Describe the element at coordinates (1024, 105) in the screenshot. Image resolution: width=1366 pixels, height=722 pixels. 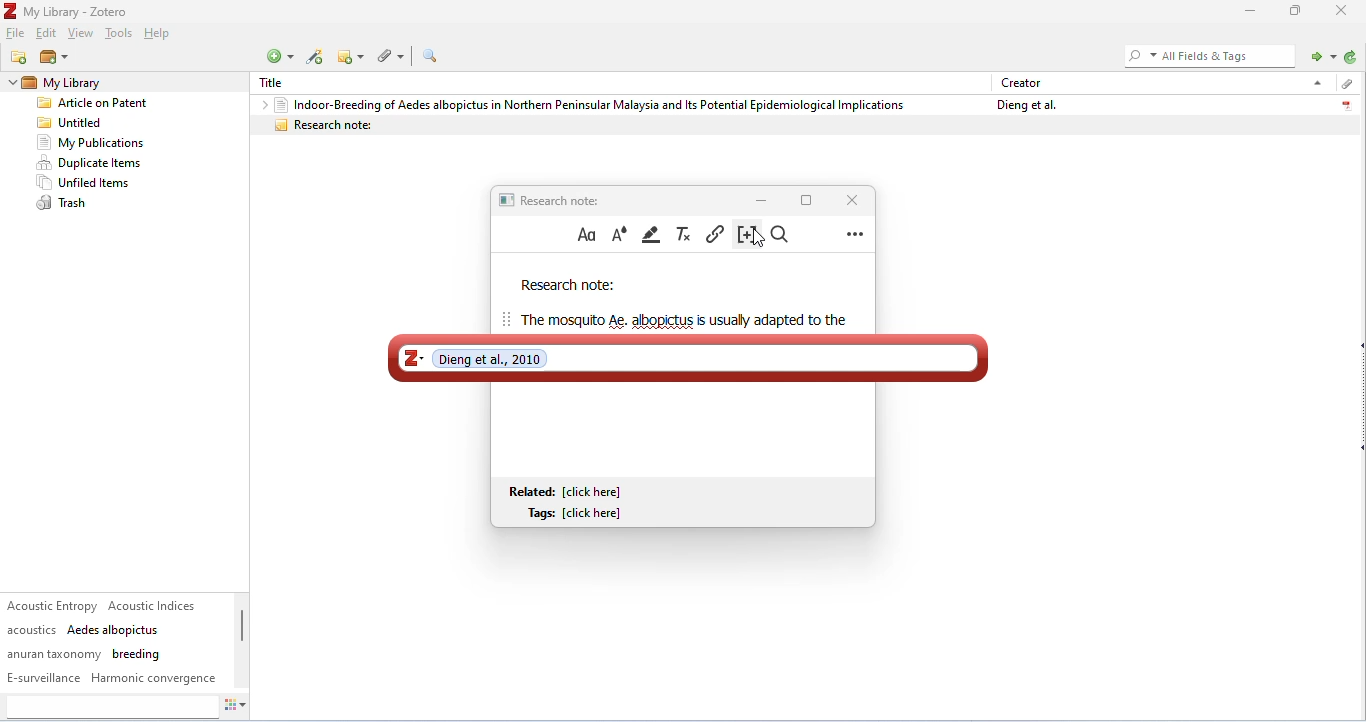
I see `dieng et al.` at that location.